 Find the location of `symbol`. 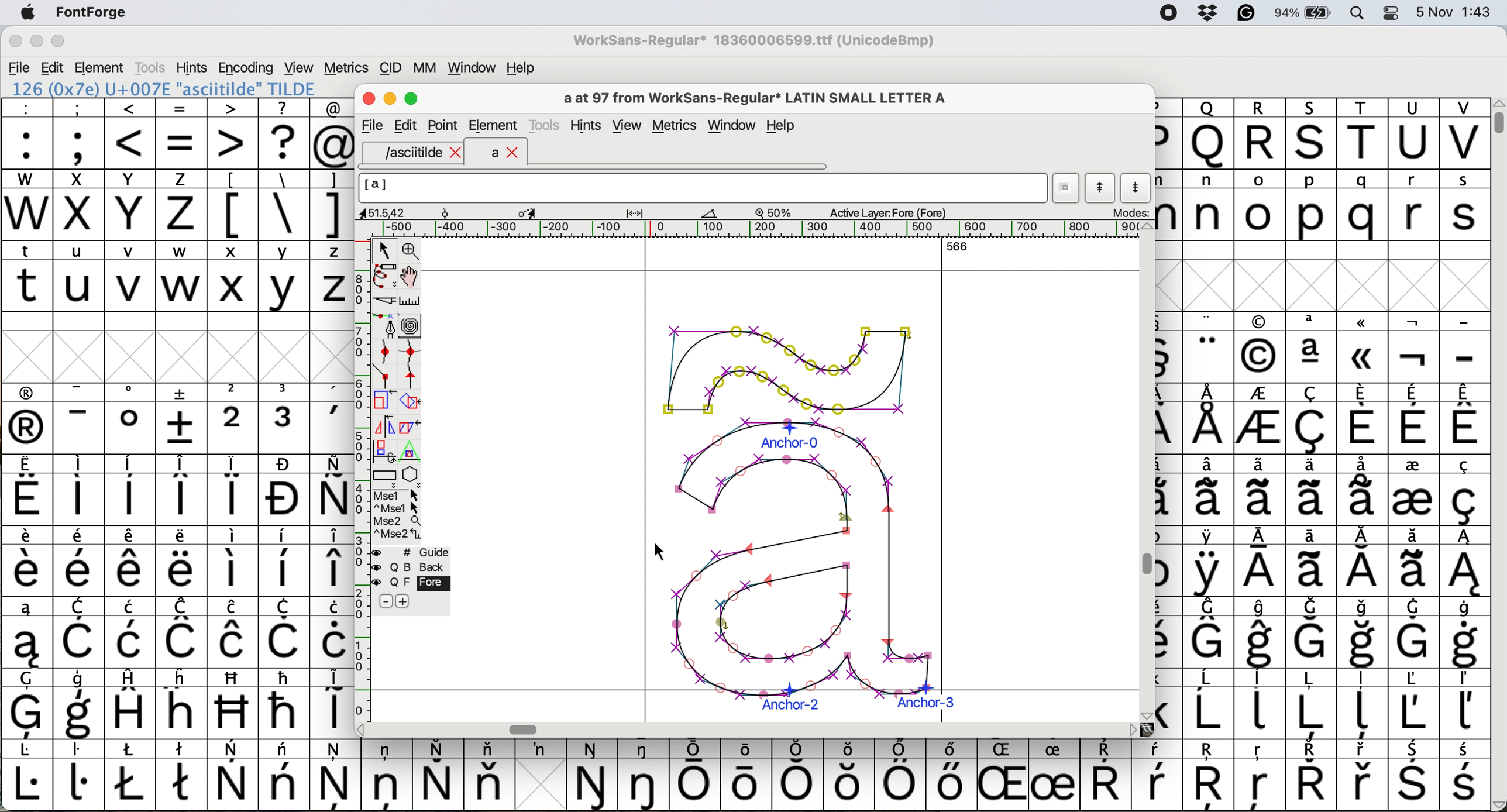

symbol is located at coordinates (593, 776).